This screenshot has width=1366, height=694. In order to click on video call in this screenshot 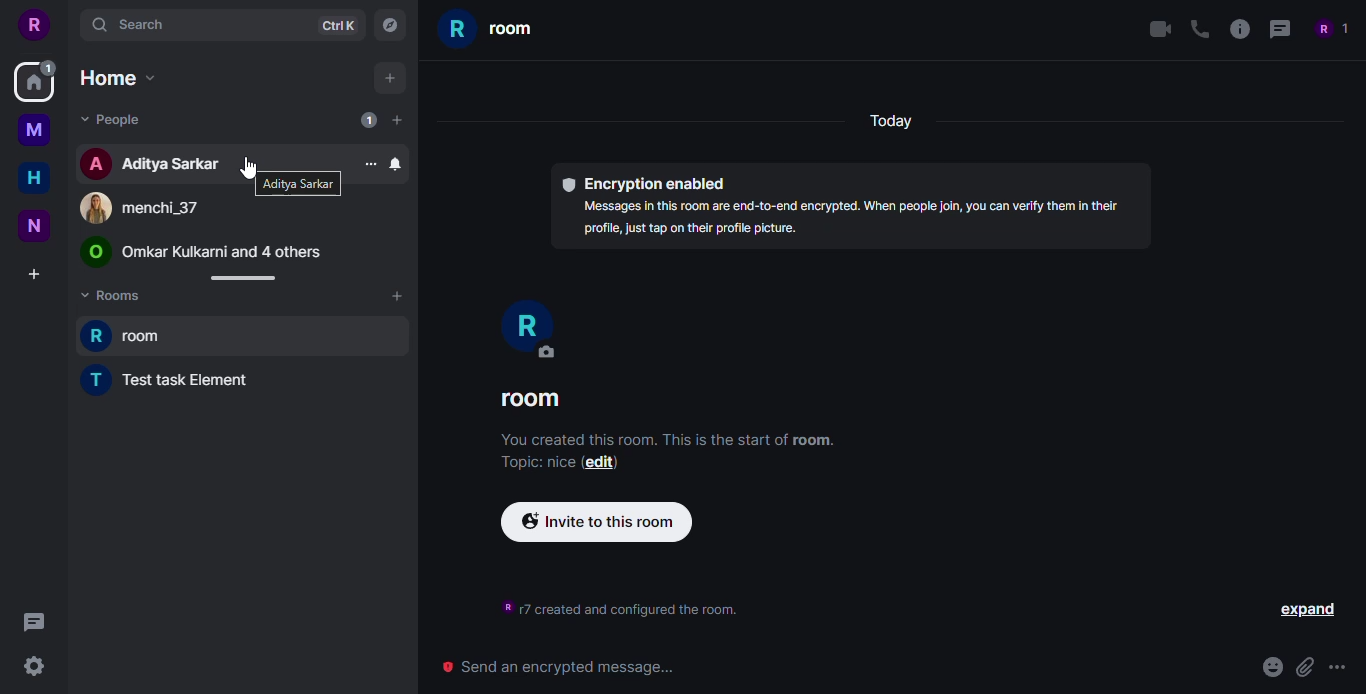, I will do `click(1156, 29)`.